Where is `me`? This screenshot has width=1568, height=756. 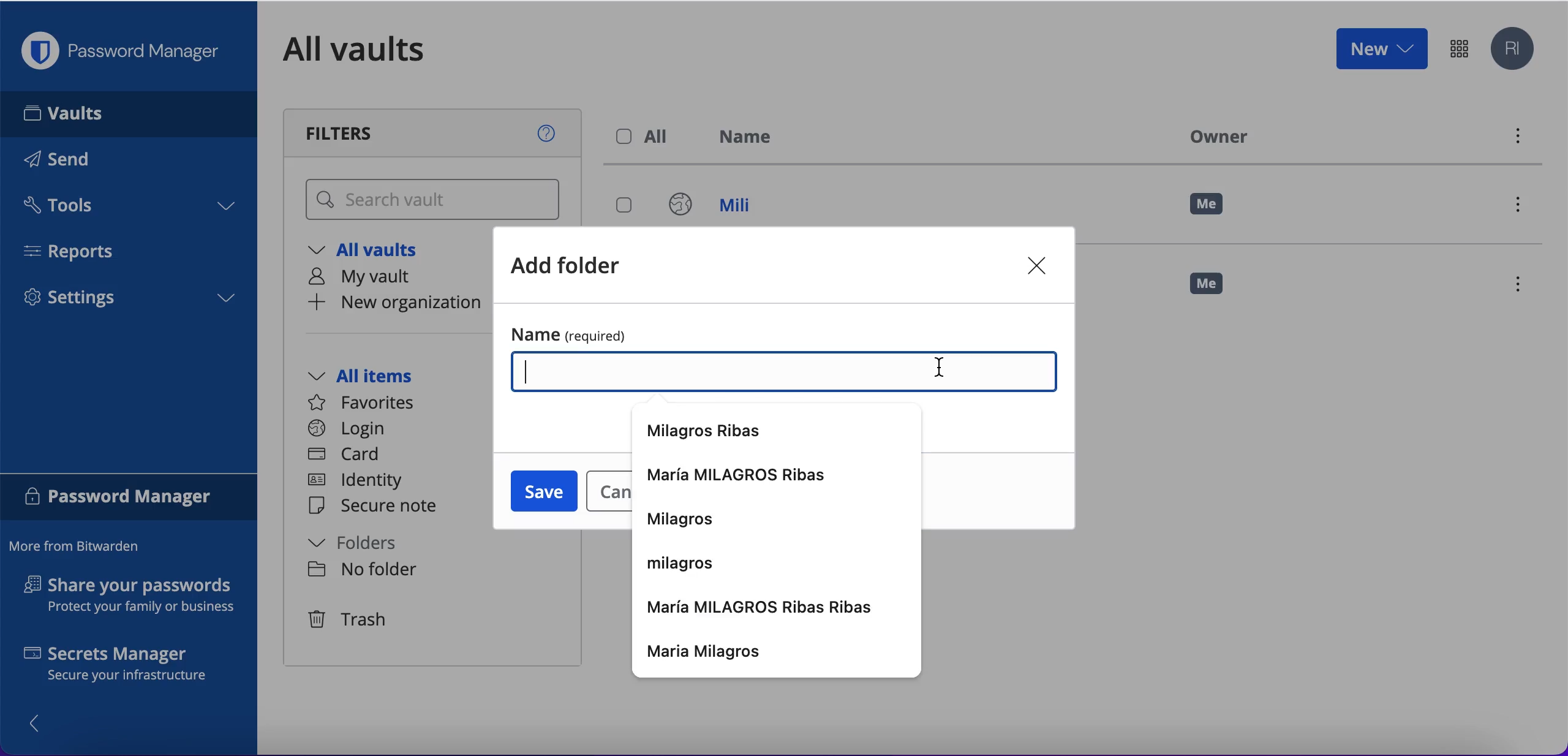 me is located at coordinates (1216, 289).